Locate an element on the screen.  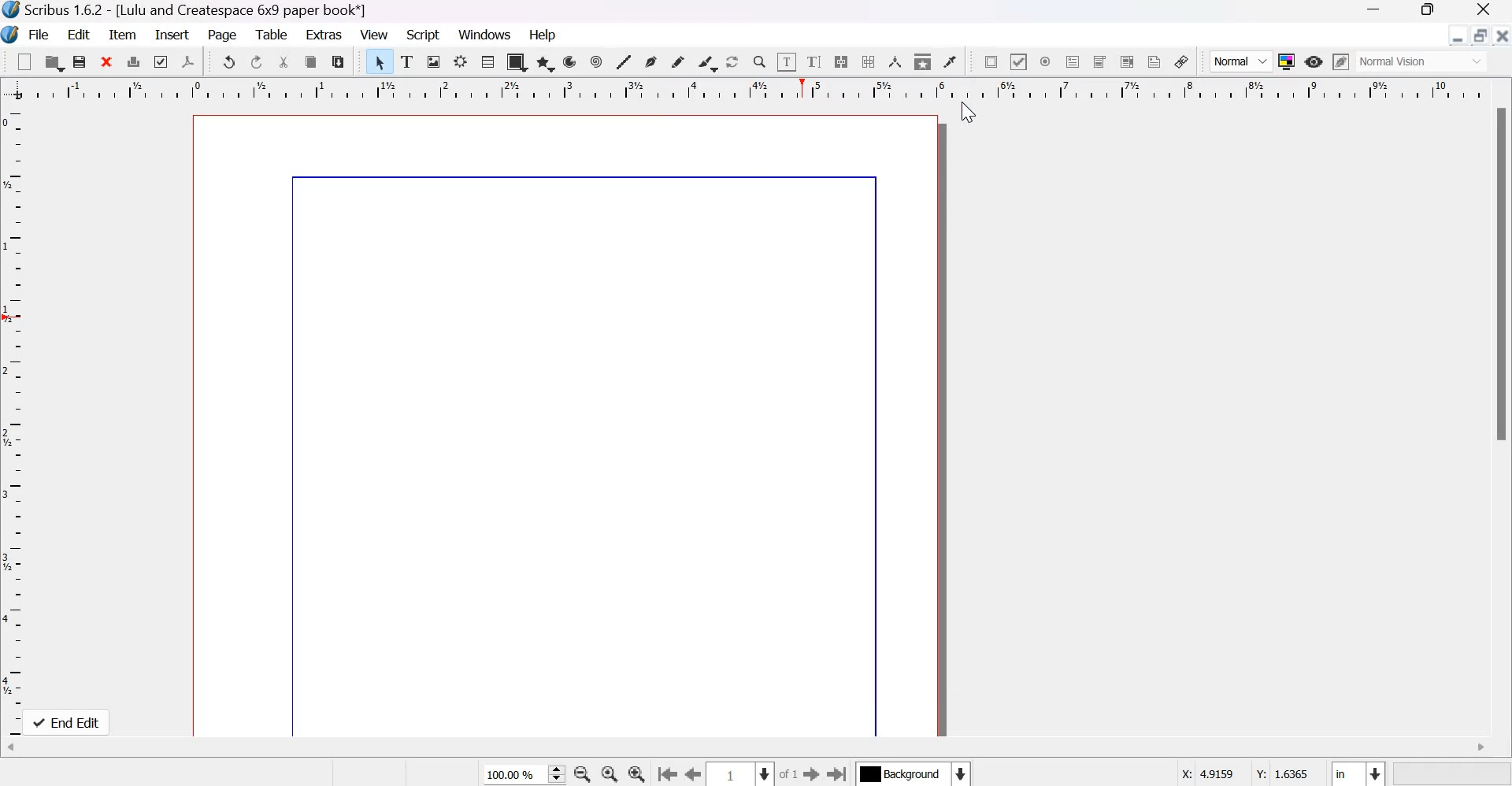
Go the last page is located at coordinates (839, 773).